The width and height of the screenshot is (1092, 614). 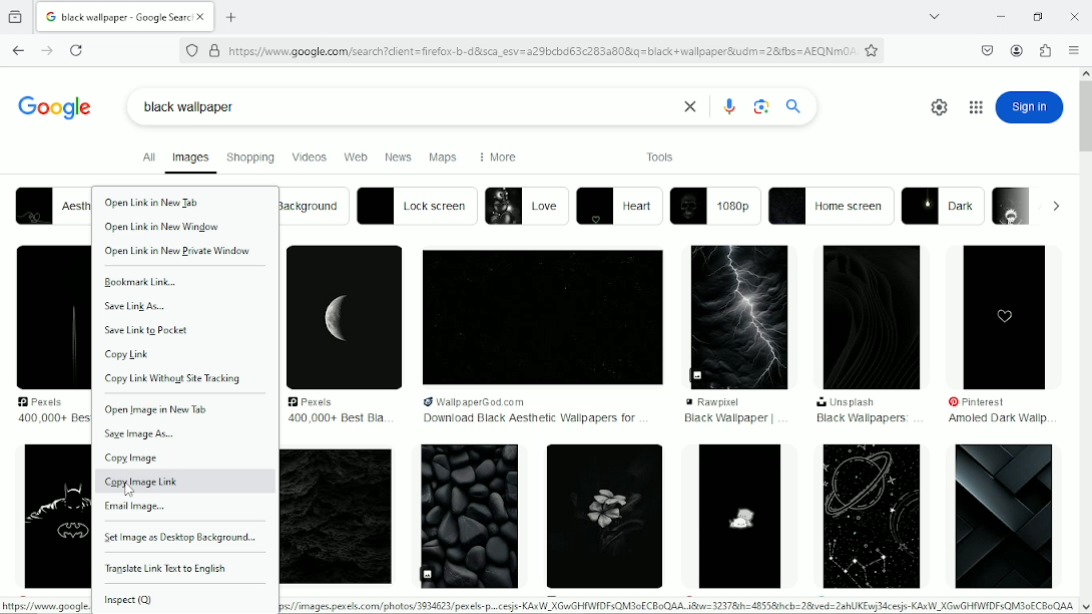 What do you see at coordinates (142, 283) in the screenshot?
I see `bookmark link` at bounding box center [142, 283].